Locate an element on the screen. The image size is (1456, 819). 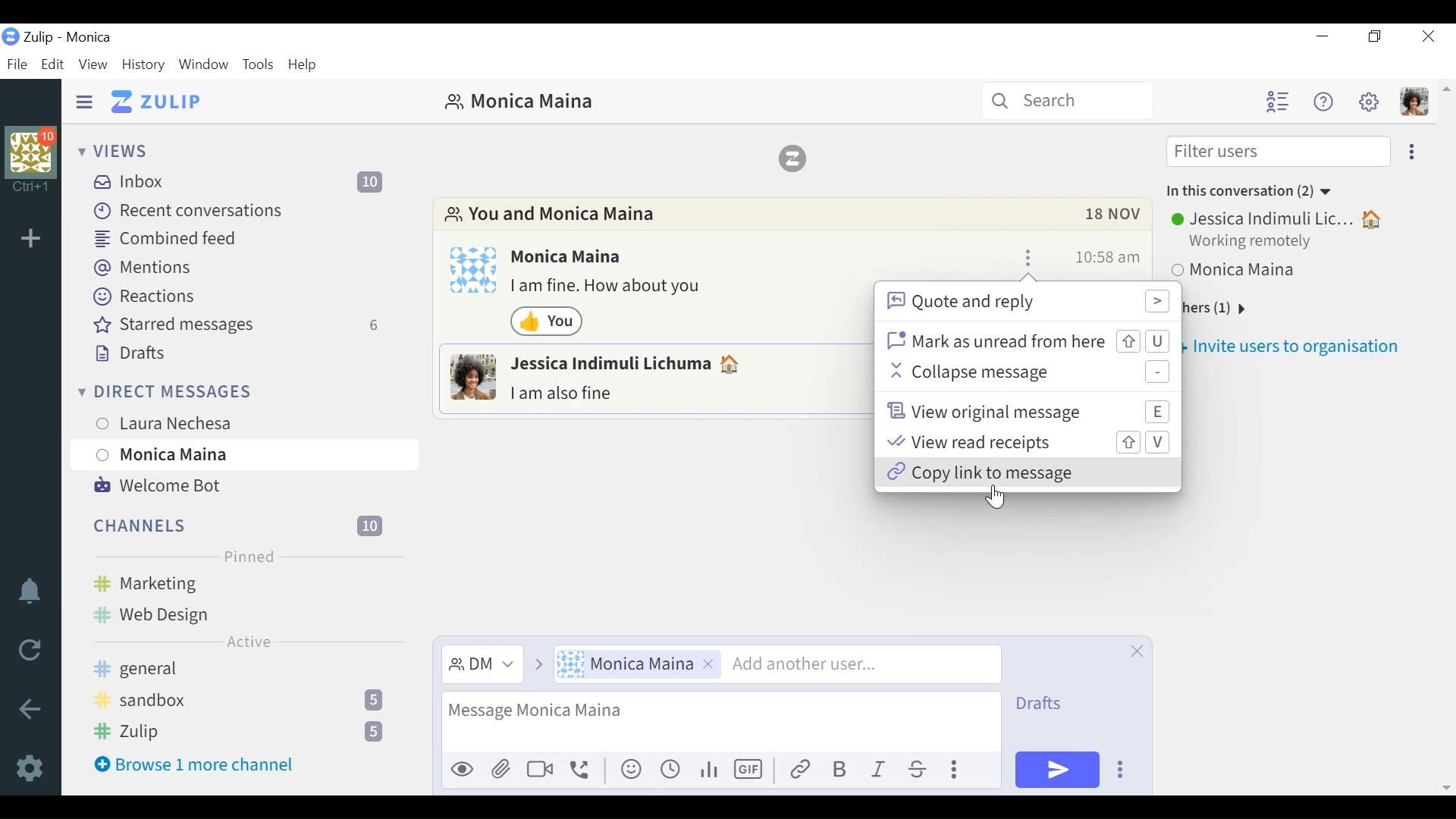
sandbox is located at coordinates (243, 699).